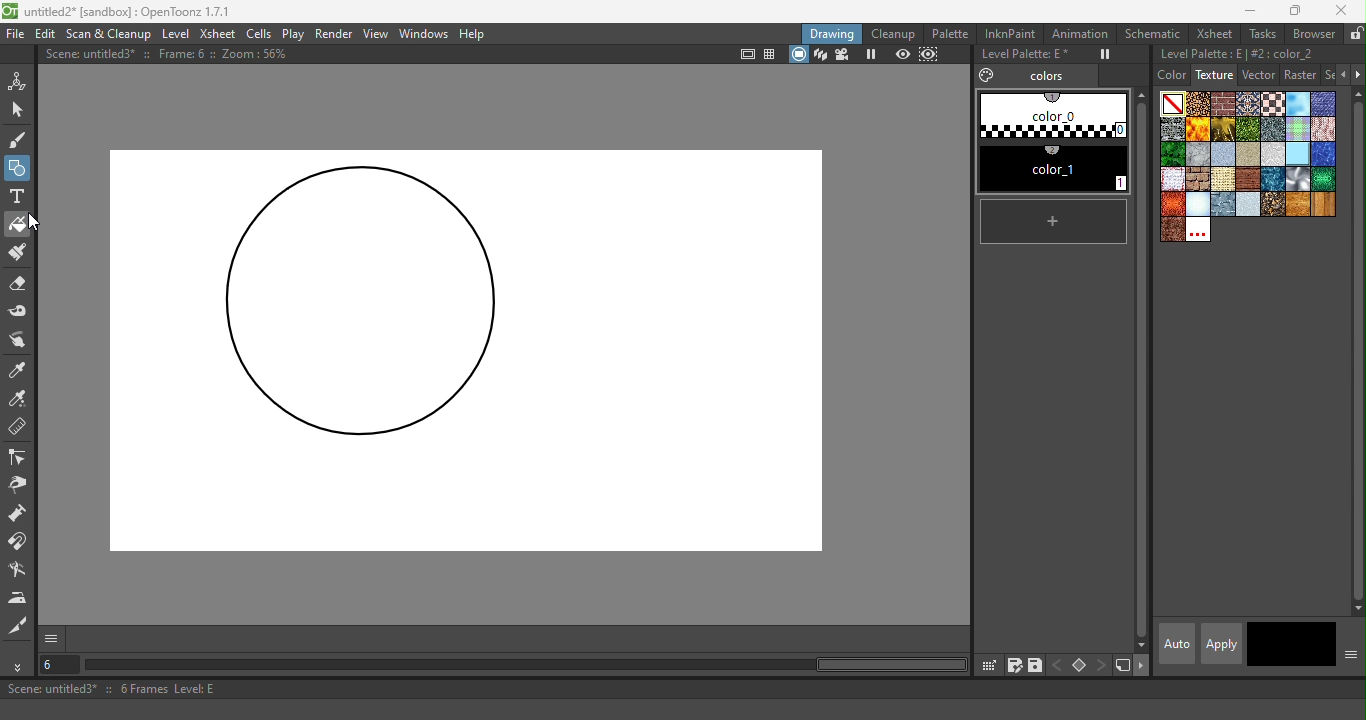  What do you see at coordinates (1311, 644) in the screenshot?
I see `return to previous style` at bounding box center [1311, 644].